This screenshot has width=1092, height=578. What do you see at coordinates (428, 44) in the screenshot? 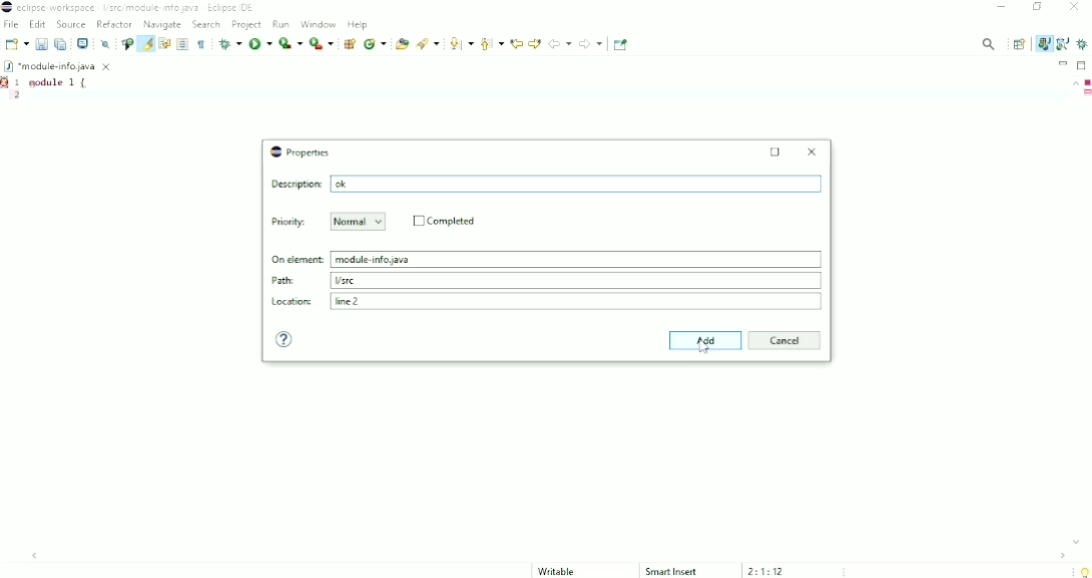
I see `Search` at bounding box center [428, 44].